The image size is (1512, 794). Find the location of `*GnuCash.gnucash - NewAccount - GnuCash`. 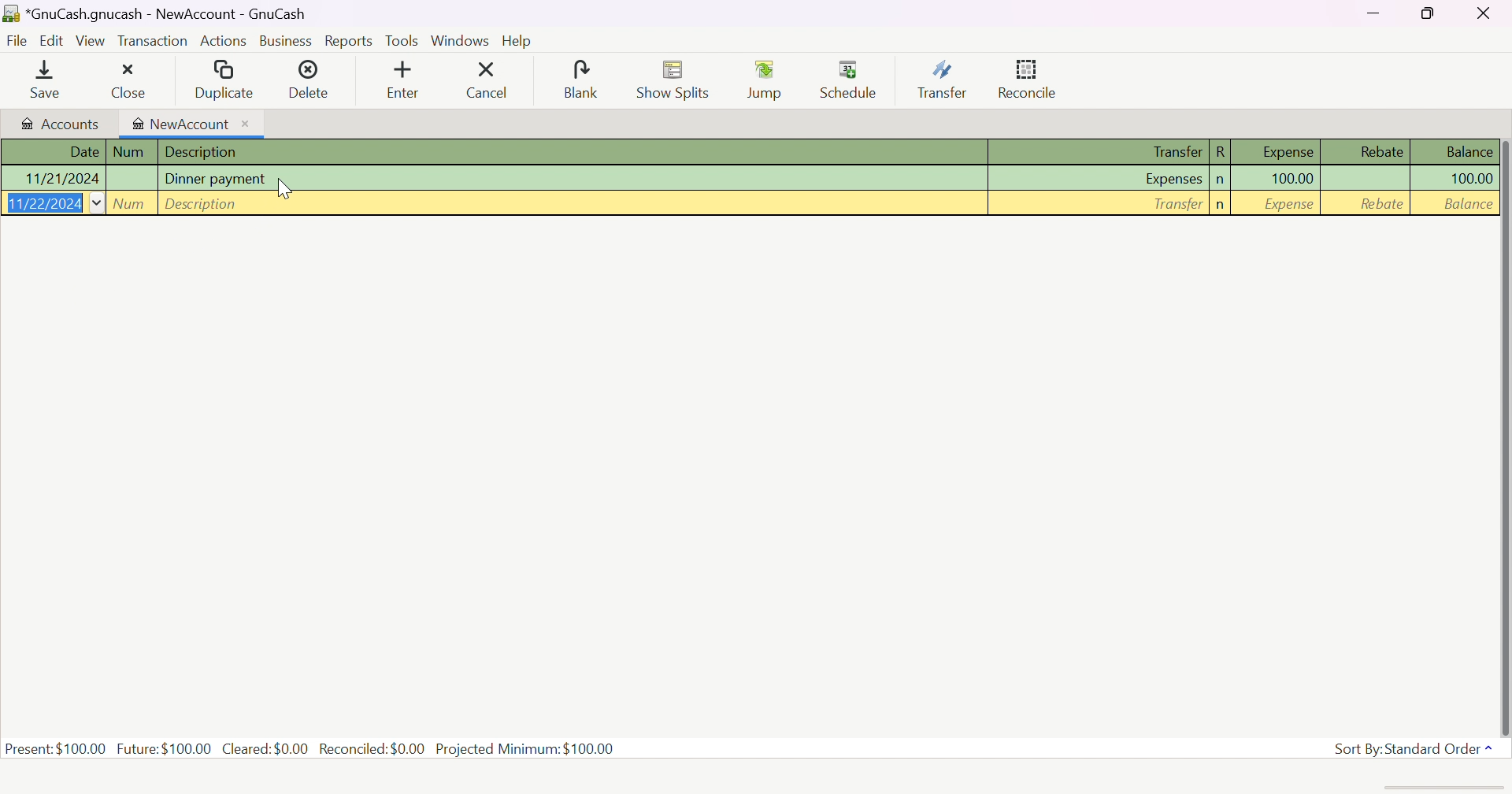

*GnuCash.gnucash - NewAccount - GnuCash is located at coordinates (169, 14).